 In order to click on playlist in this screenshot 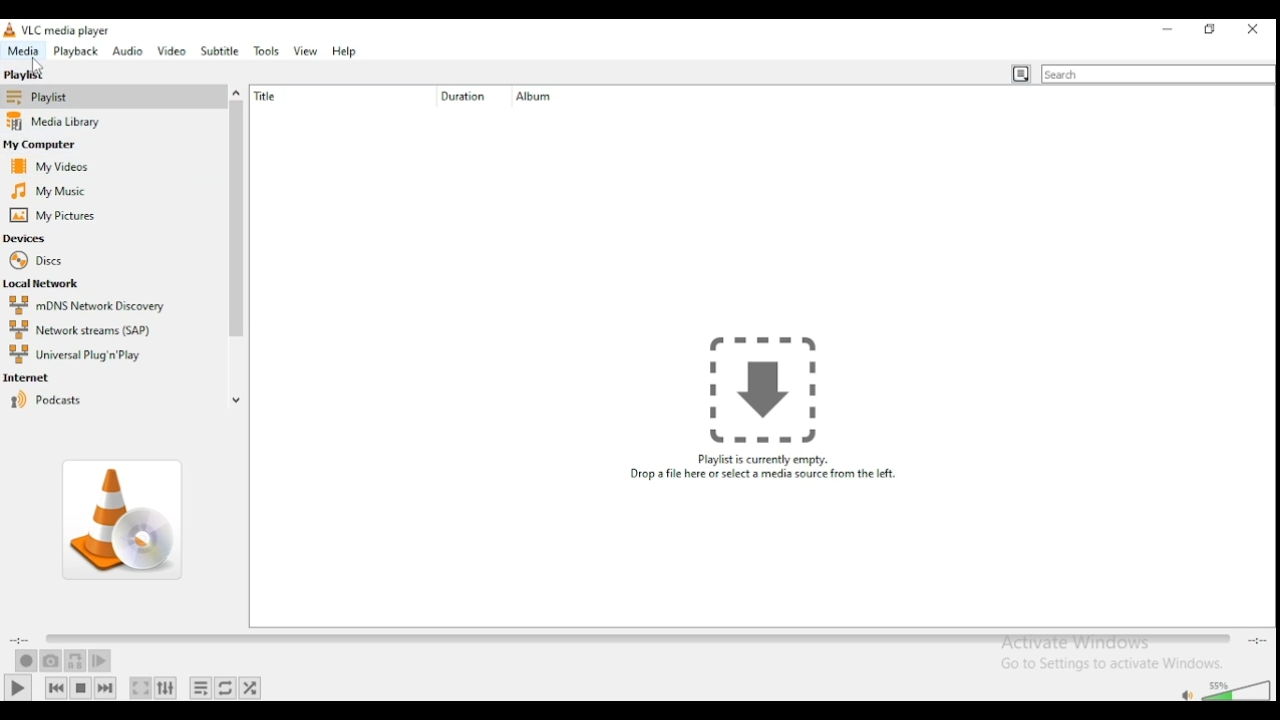, I will do `click(26, 75)`.